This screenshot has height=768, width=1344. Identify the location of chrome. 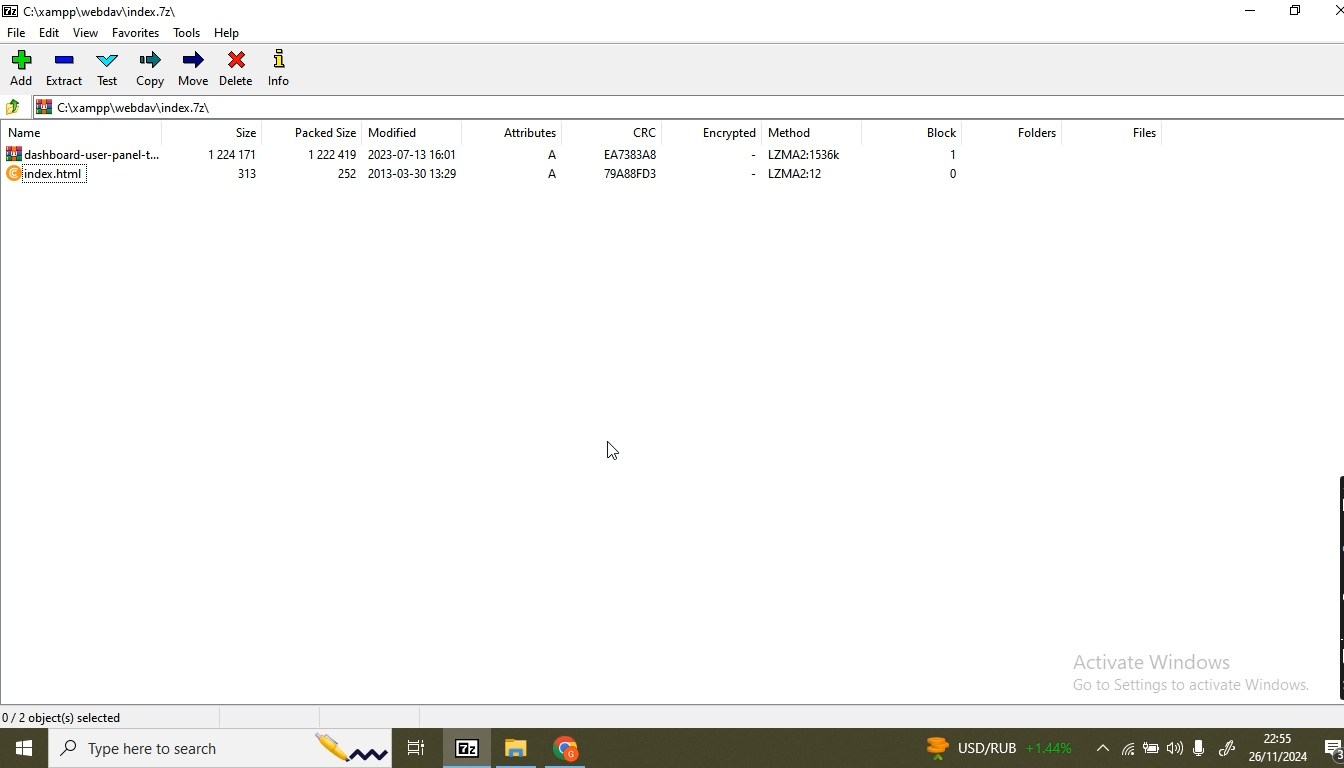
(565, 751).